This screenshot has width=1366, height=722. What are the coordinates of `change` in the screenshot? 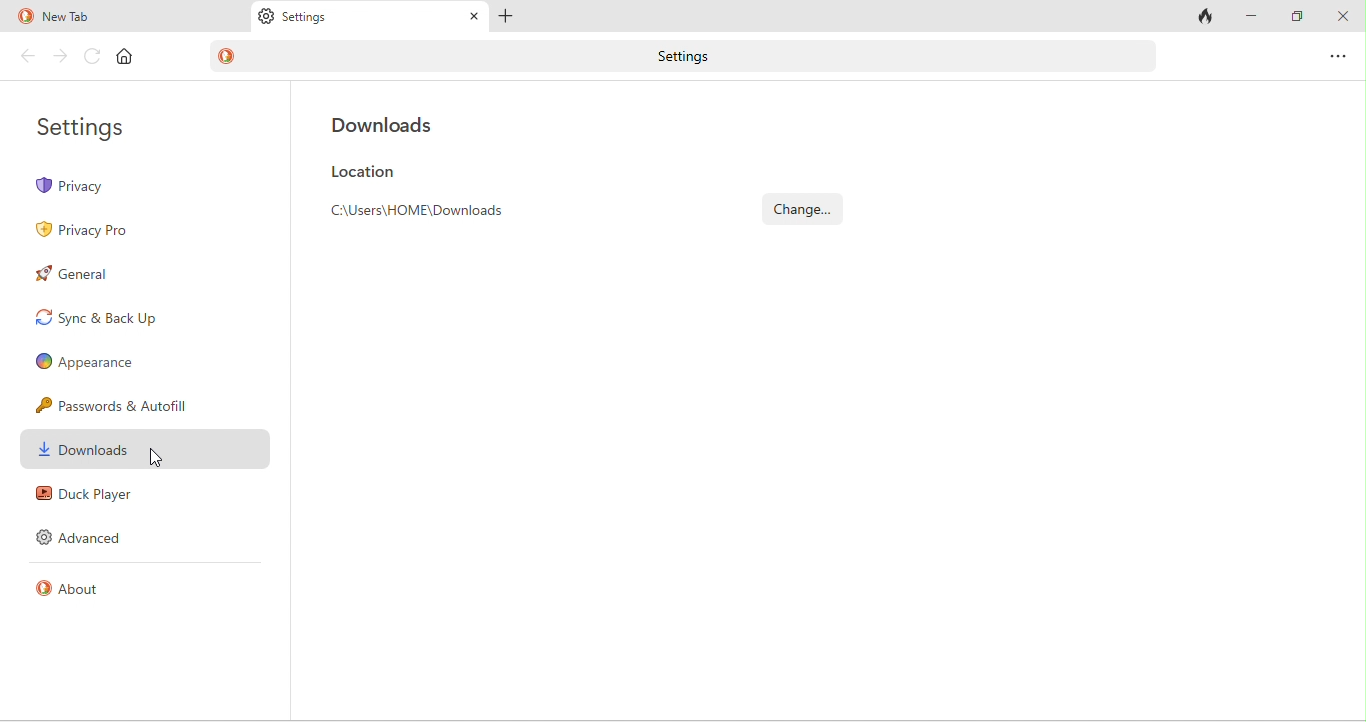 It's located at (802, 210).